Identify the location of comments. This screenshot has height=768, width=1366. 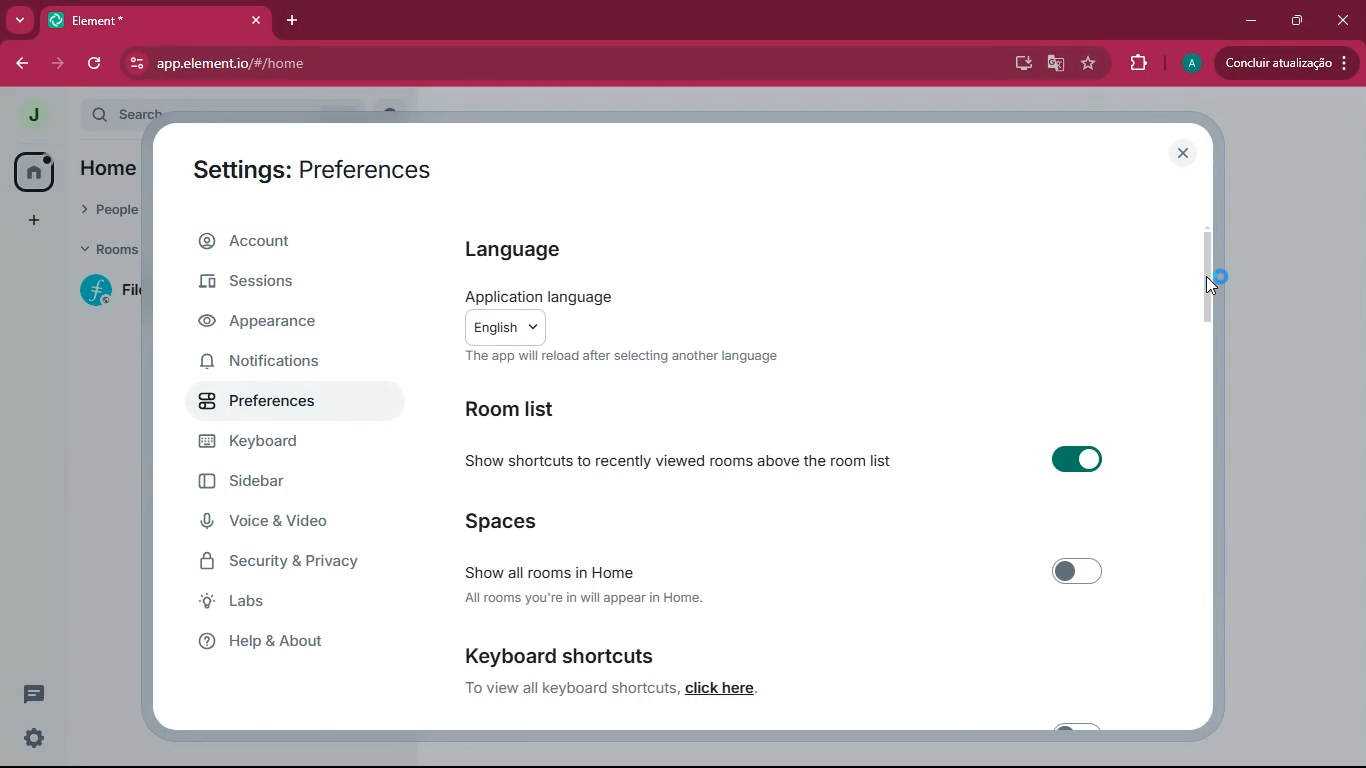
(37, 692).